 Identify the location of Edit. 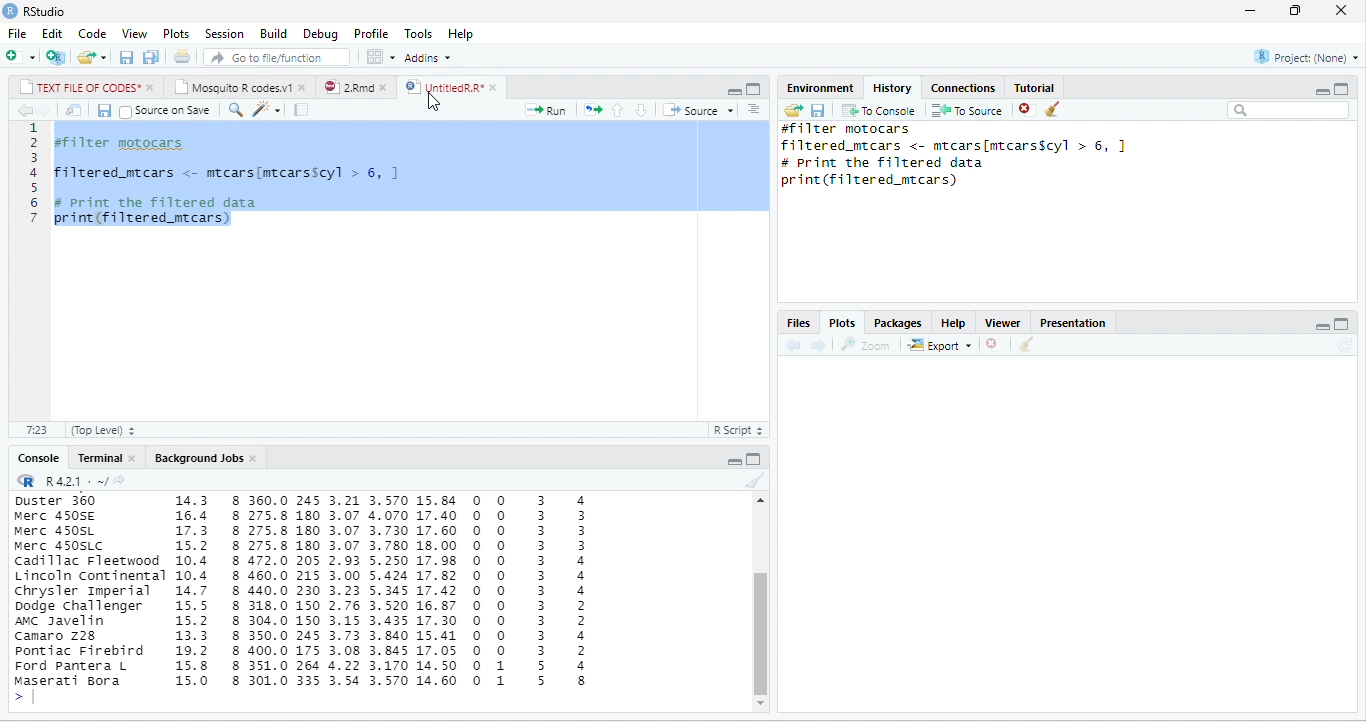
(52, 33).